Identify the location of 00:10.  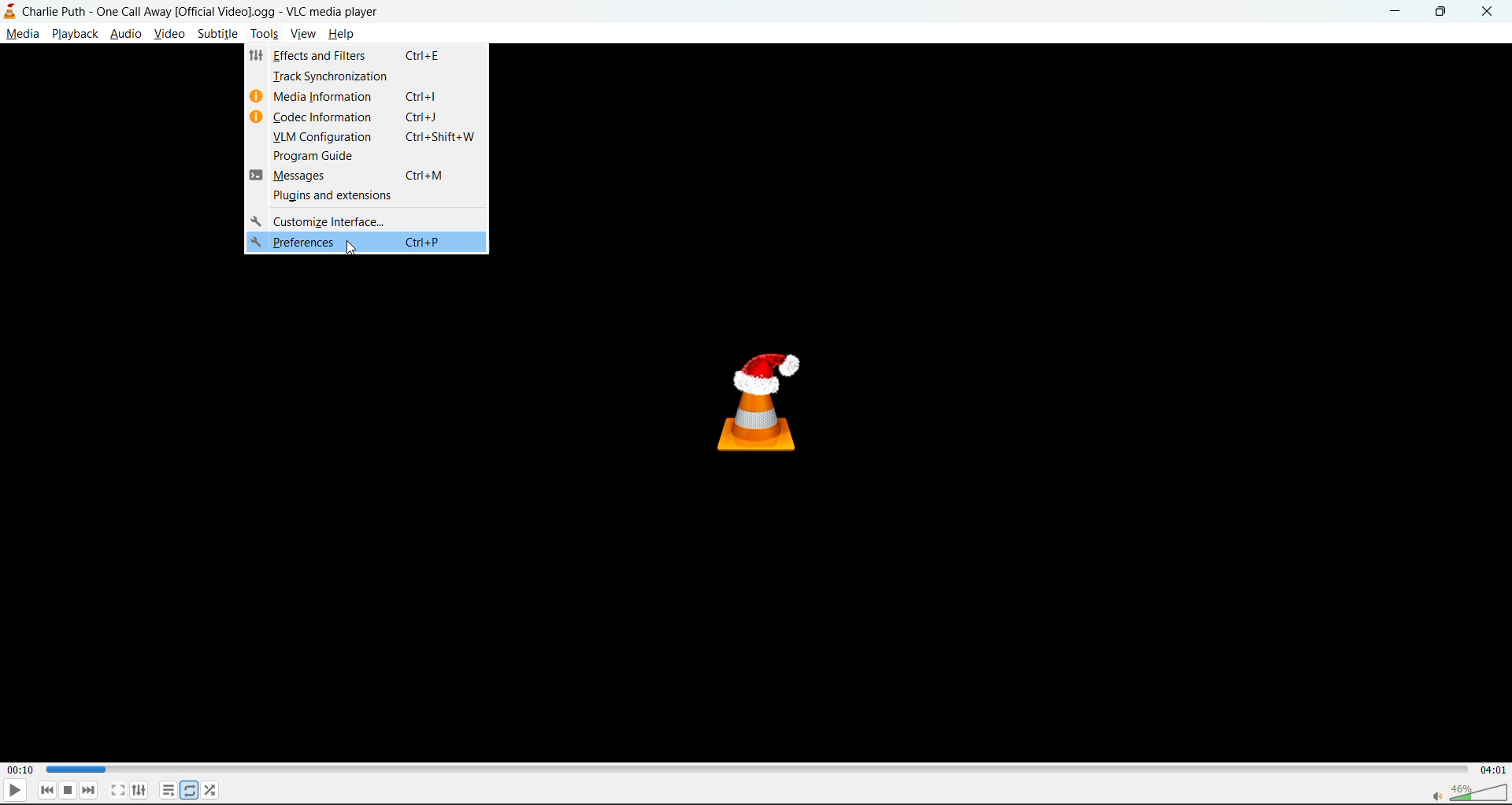
(22, 766).